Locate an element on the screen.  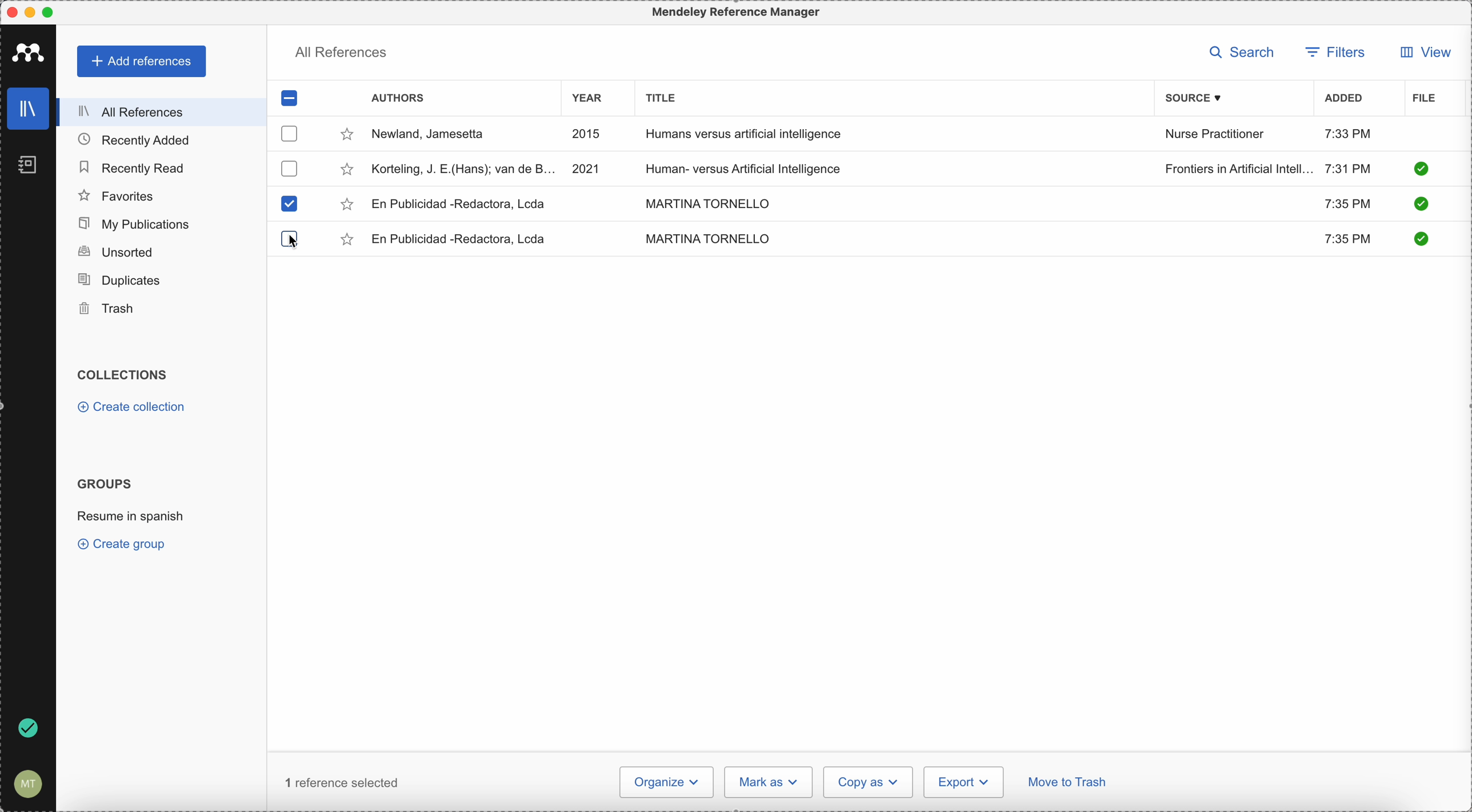
title is located at coordinates (658, 97).